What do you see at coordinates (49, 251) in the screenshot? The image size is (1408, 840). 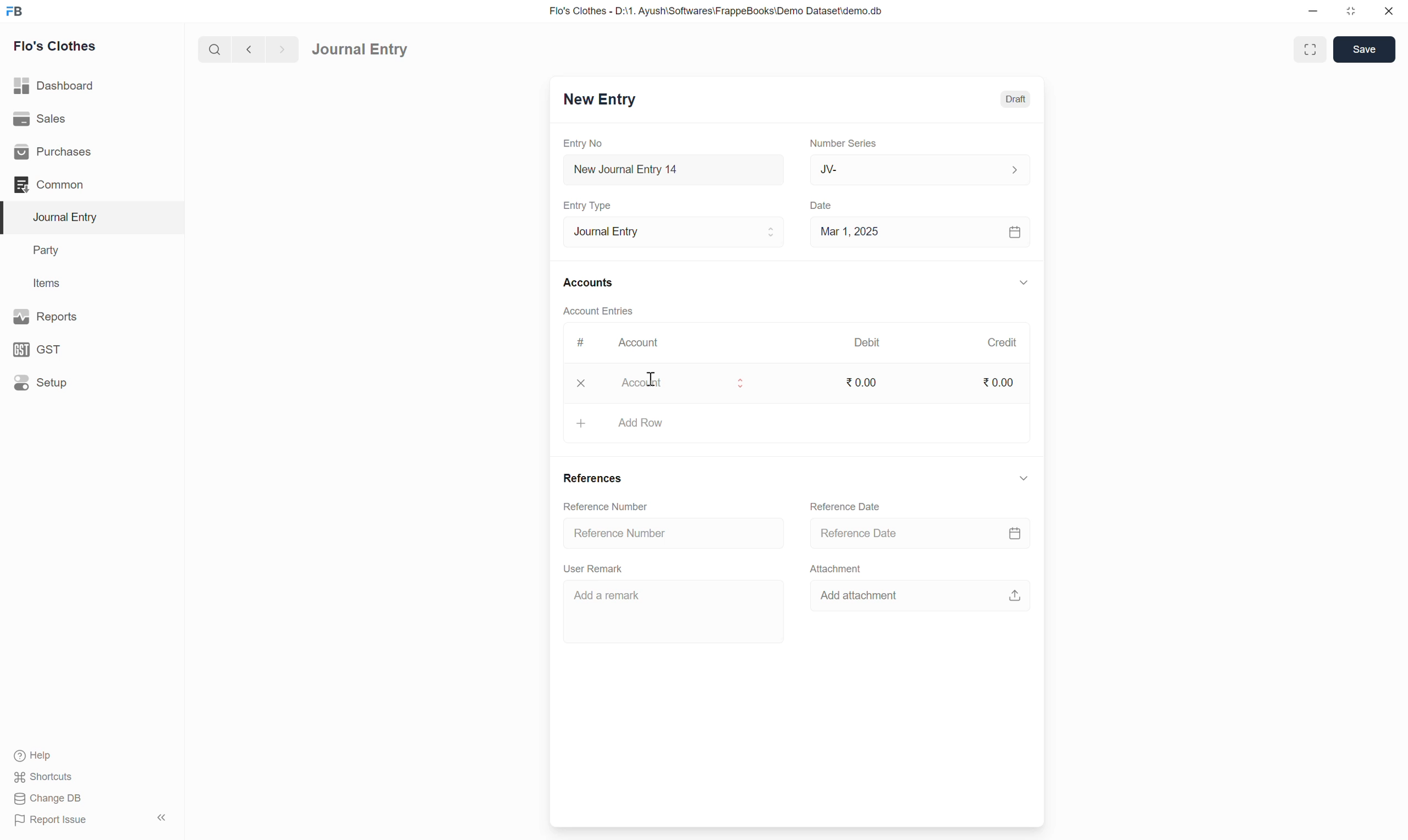 I see `Party` at bounding box center [49, 251].